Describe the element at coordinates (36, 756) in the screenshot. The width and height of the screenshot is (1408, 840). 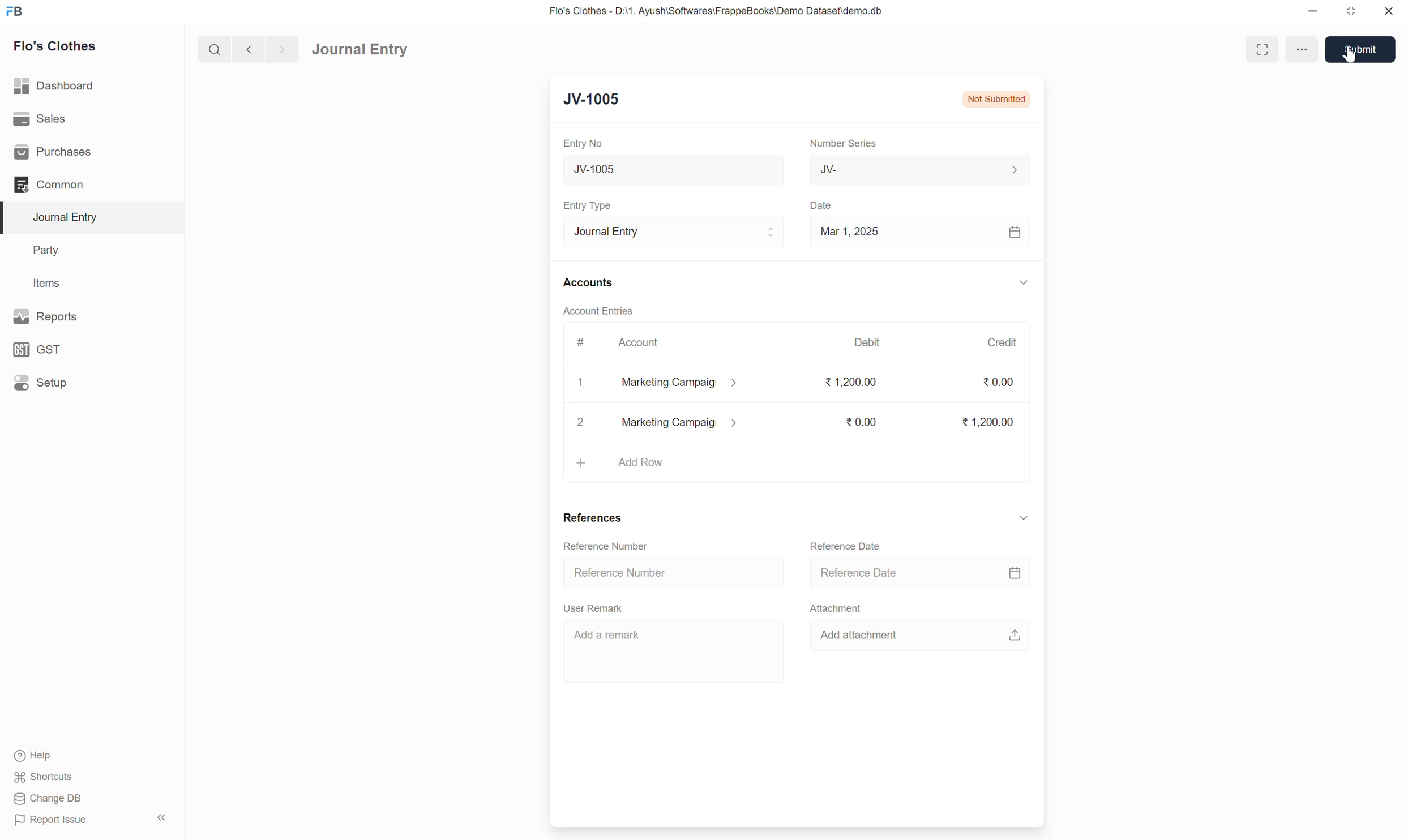
I see `Help` at that location.